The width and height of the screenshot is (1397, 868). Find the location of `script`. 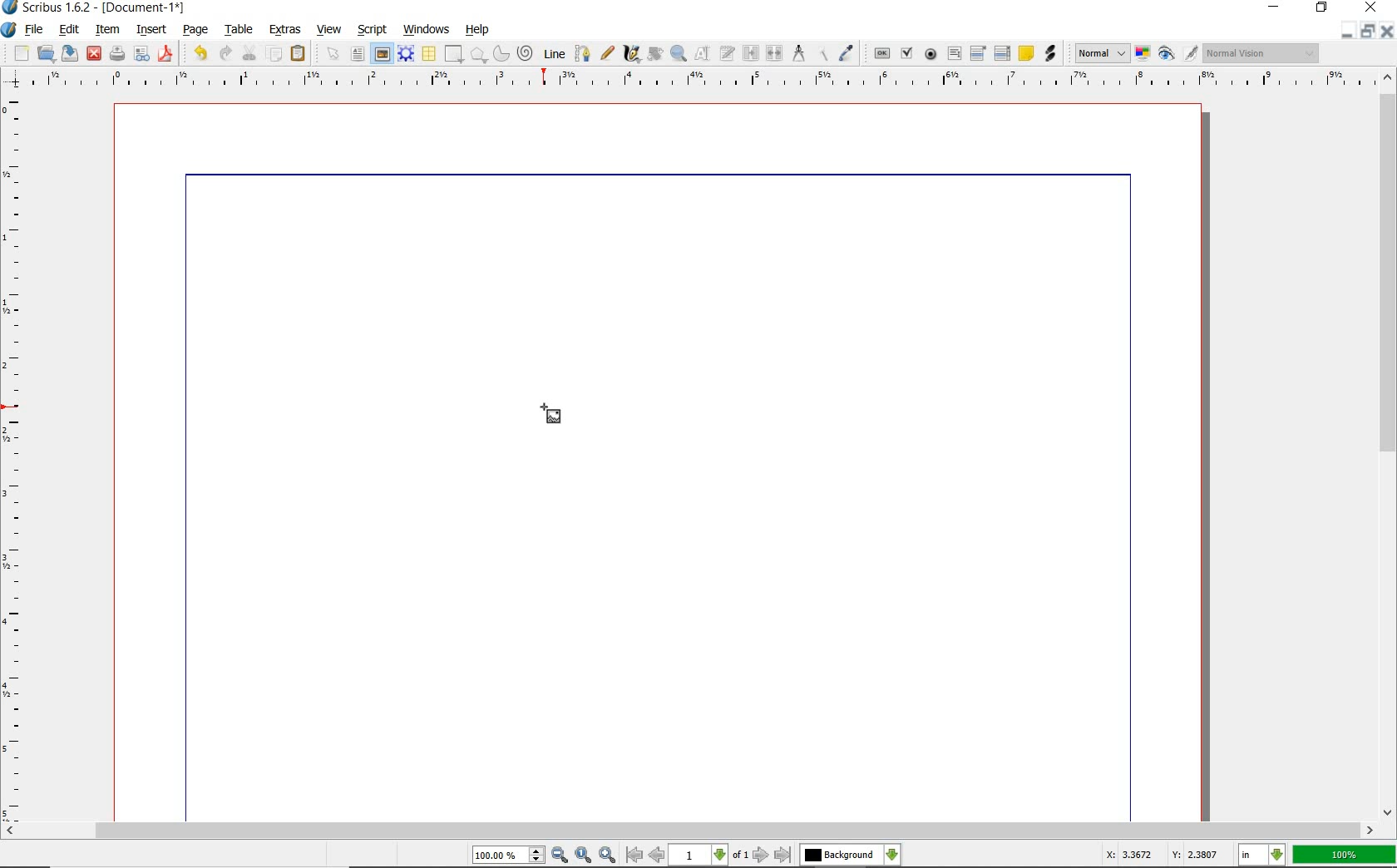

script is located at coordinates (373, 29).